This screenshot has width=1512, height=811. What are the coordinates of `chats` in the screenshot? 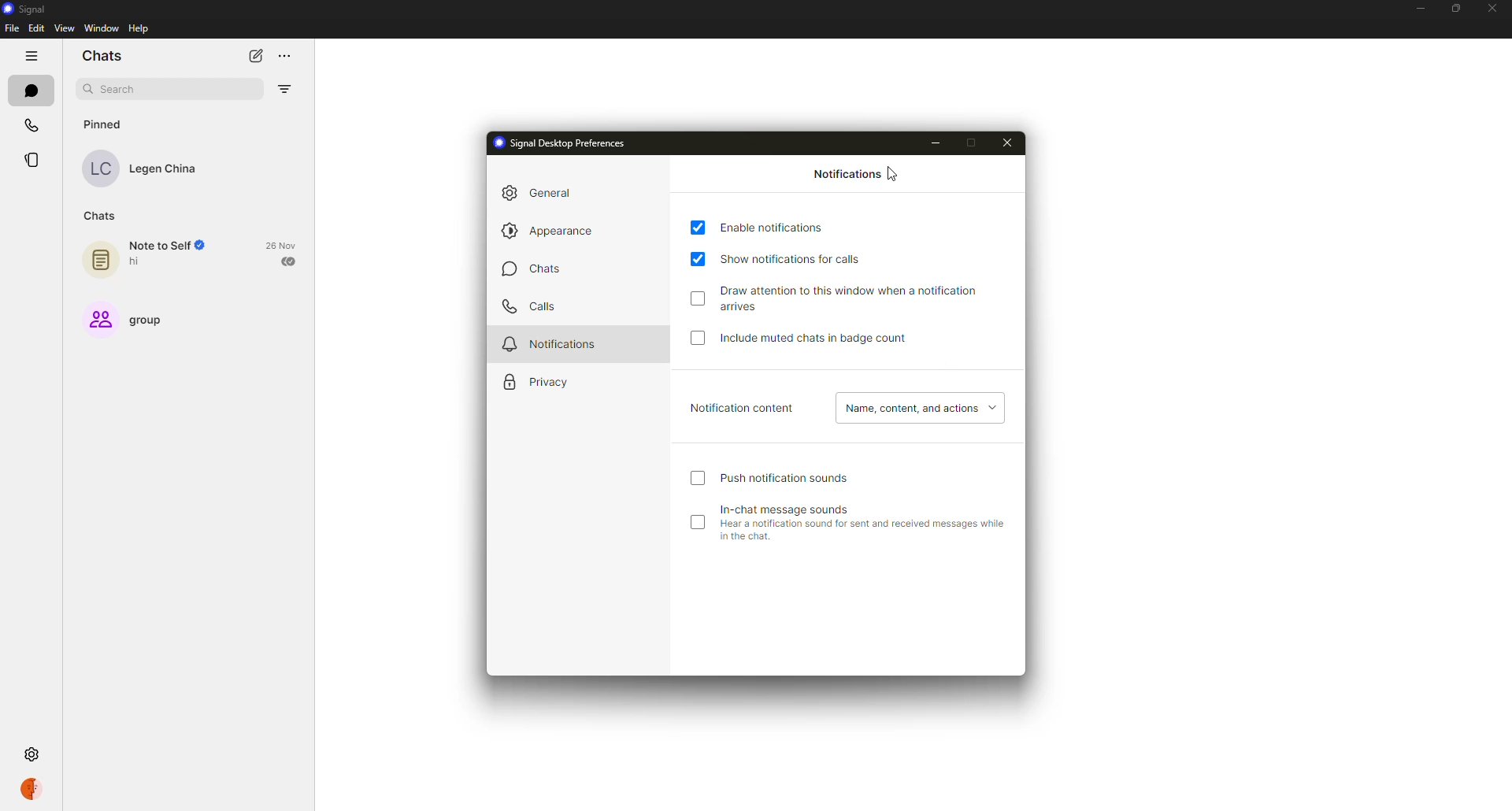 It's located at (31, 89).